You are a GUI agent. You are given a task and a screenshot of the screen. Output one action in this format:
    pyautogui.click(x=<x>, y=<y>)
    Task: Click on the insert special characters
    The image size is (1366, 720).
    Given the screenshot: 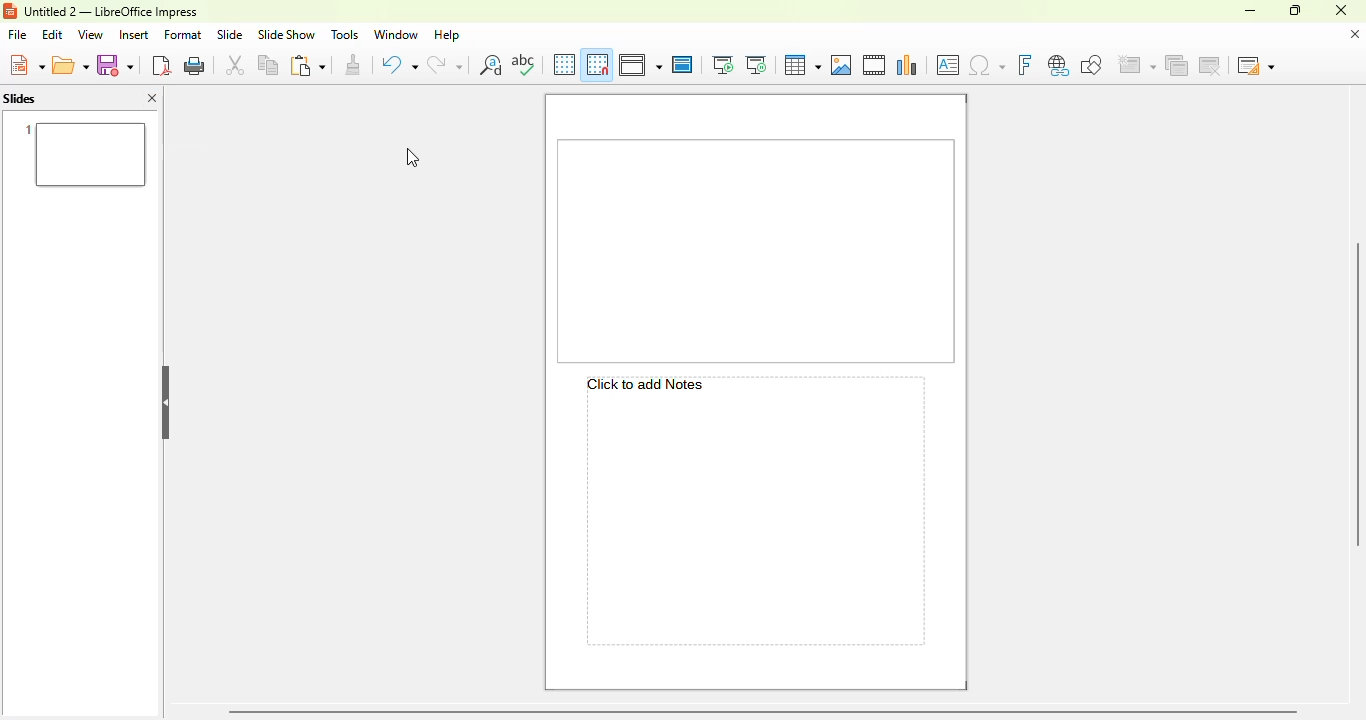 What is the action you would take?
    pyautogui.click(x=986, y=65)
    